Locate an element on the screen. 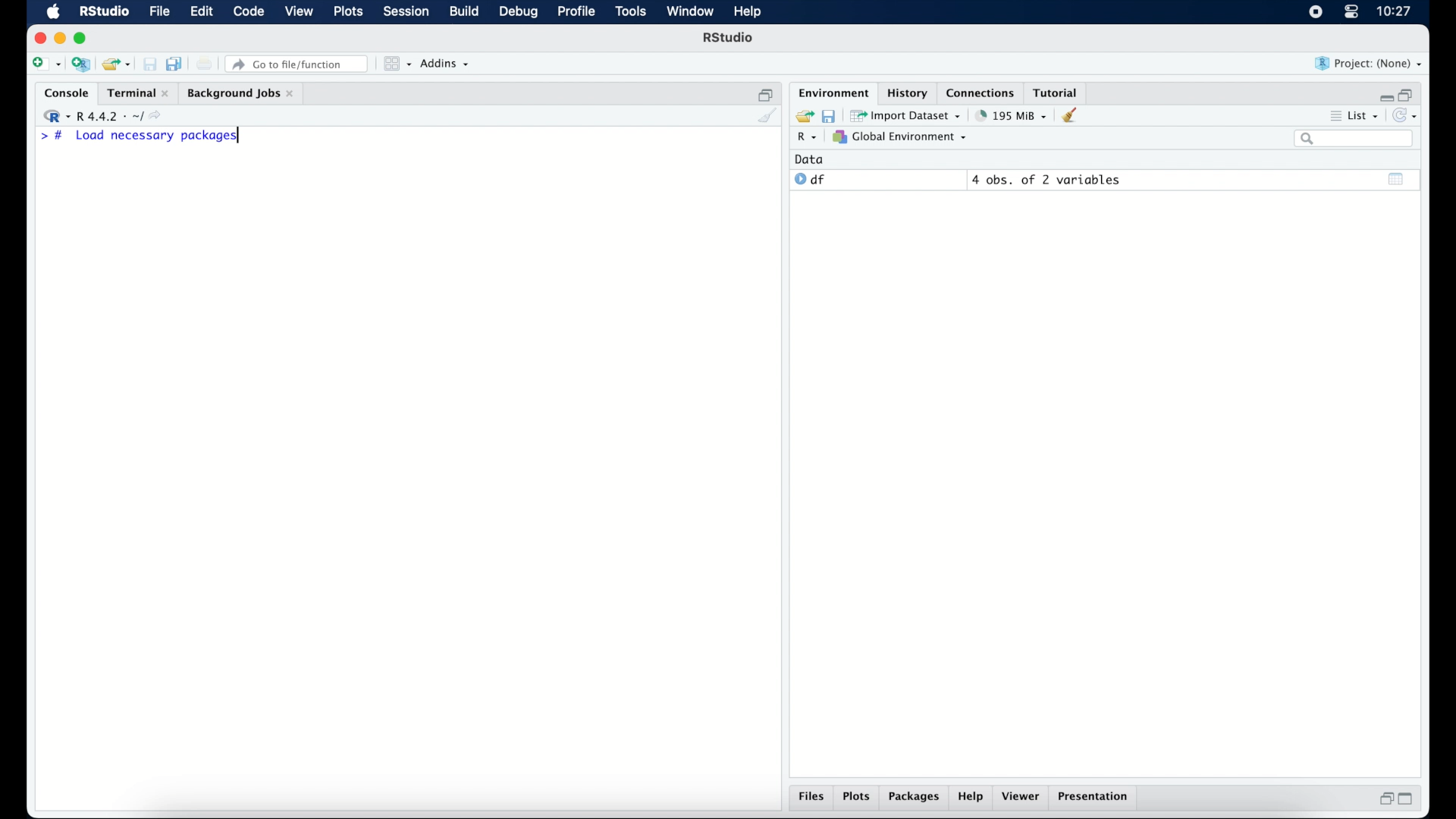 The height and width of the screenshot is (819, 1456). R Studio is located at coordinates (104, 12).